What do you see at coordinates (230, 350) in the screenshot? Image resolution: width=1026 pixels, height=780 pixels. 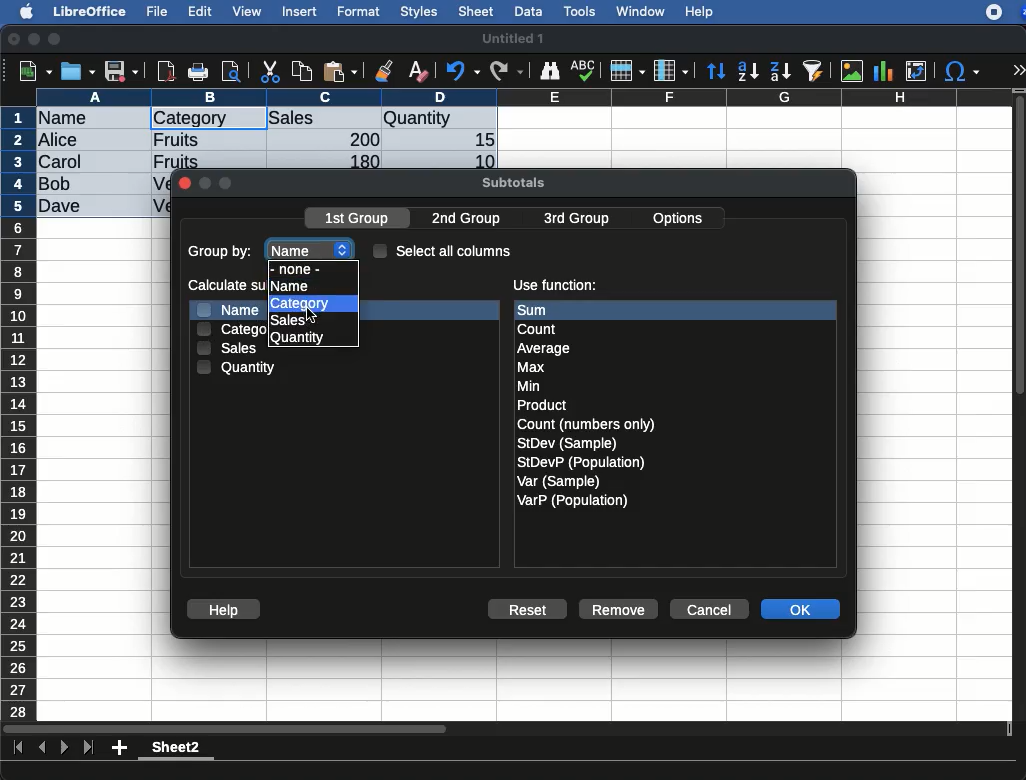 I see `sales` at bounding box center [230, 350].